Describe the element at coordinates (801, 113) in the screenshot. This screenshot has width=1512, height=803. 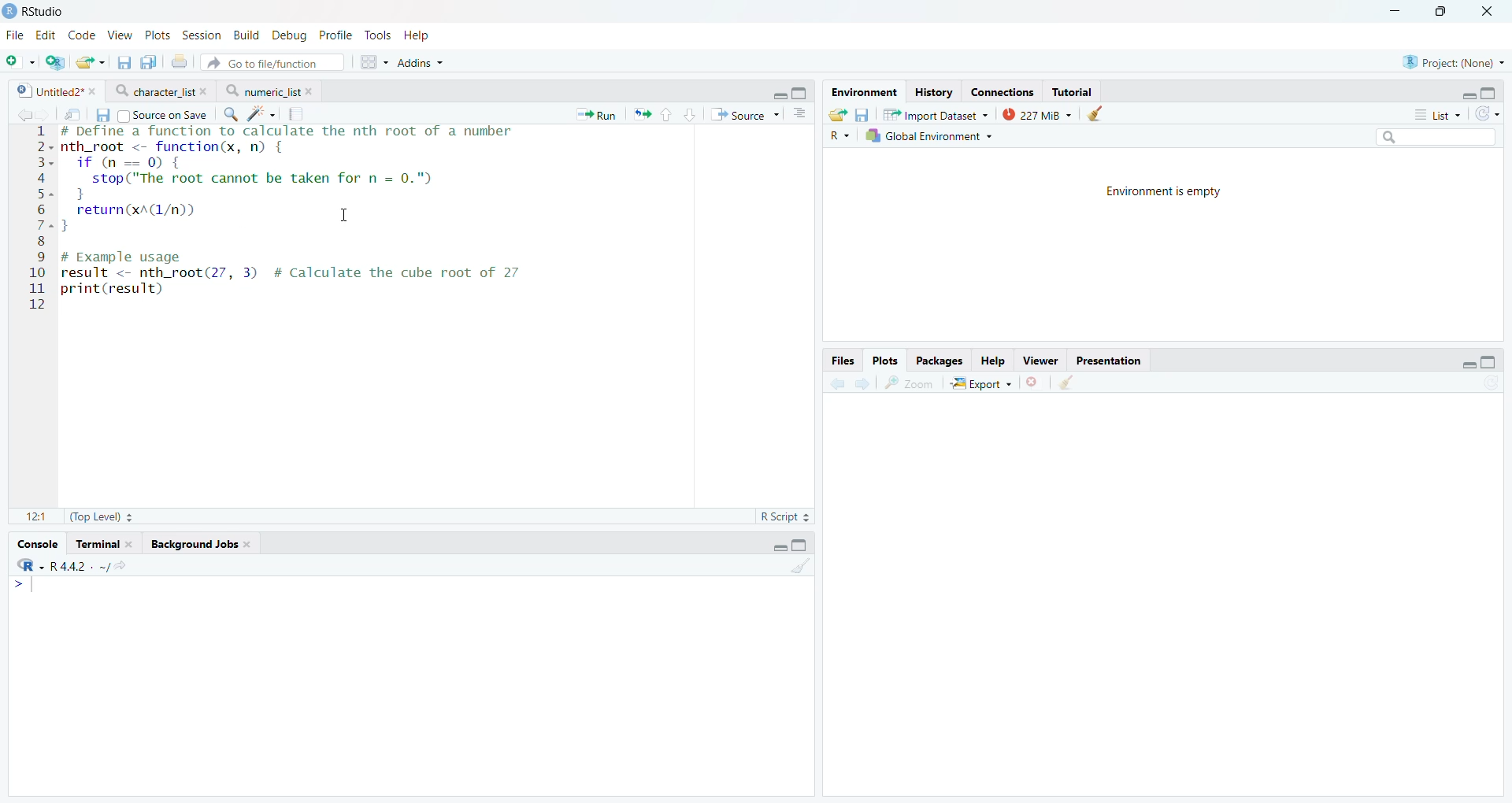
I see `Show document outline` at that location.